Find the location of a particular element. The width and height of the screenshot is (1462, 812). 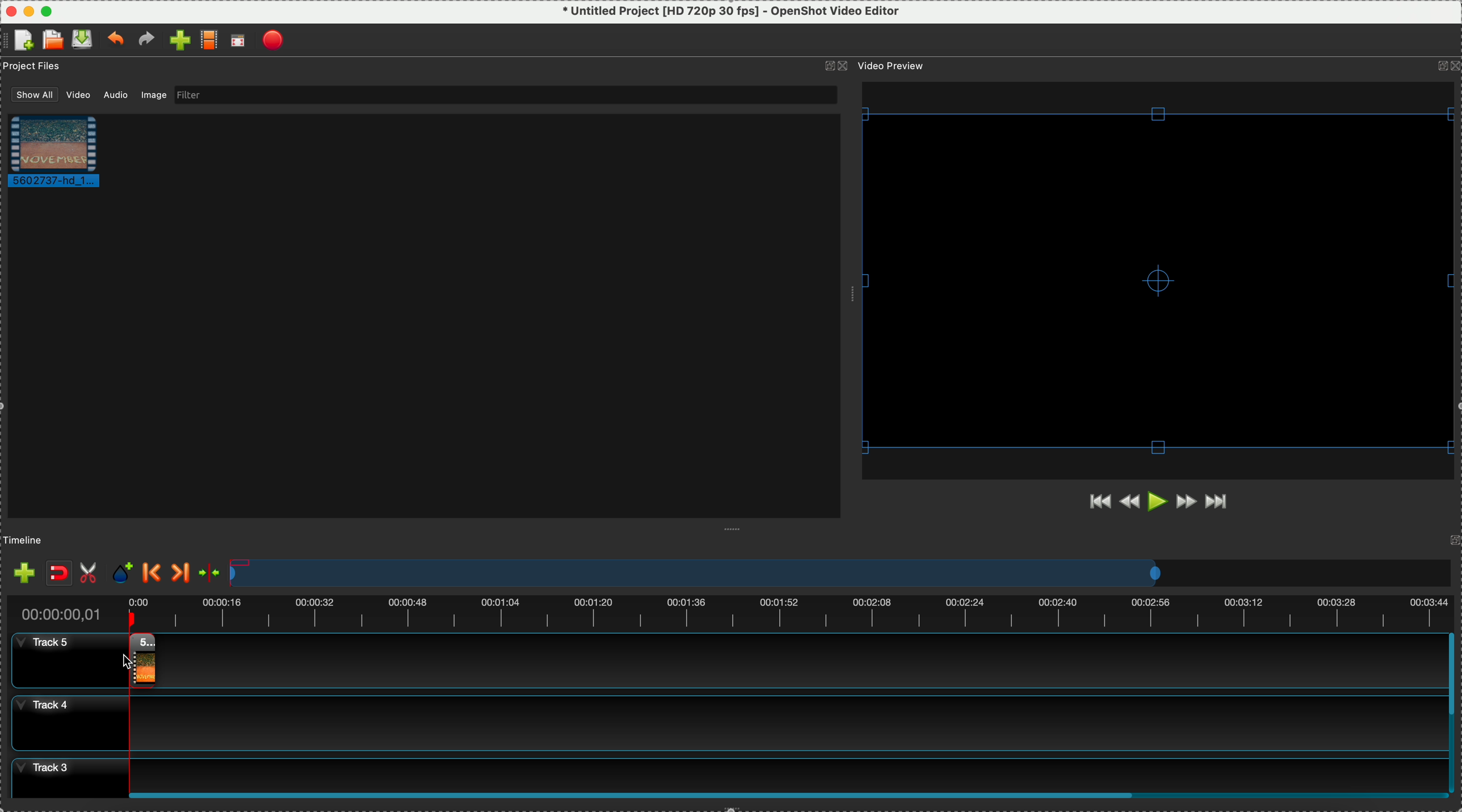

previous marker is located at coordinates (152, 573).